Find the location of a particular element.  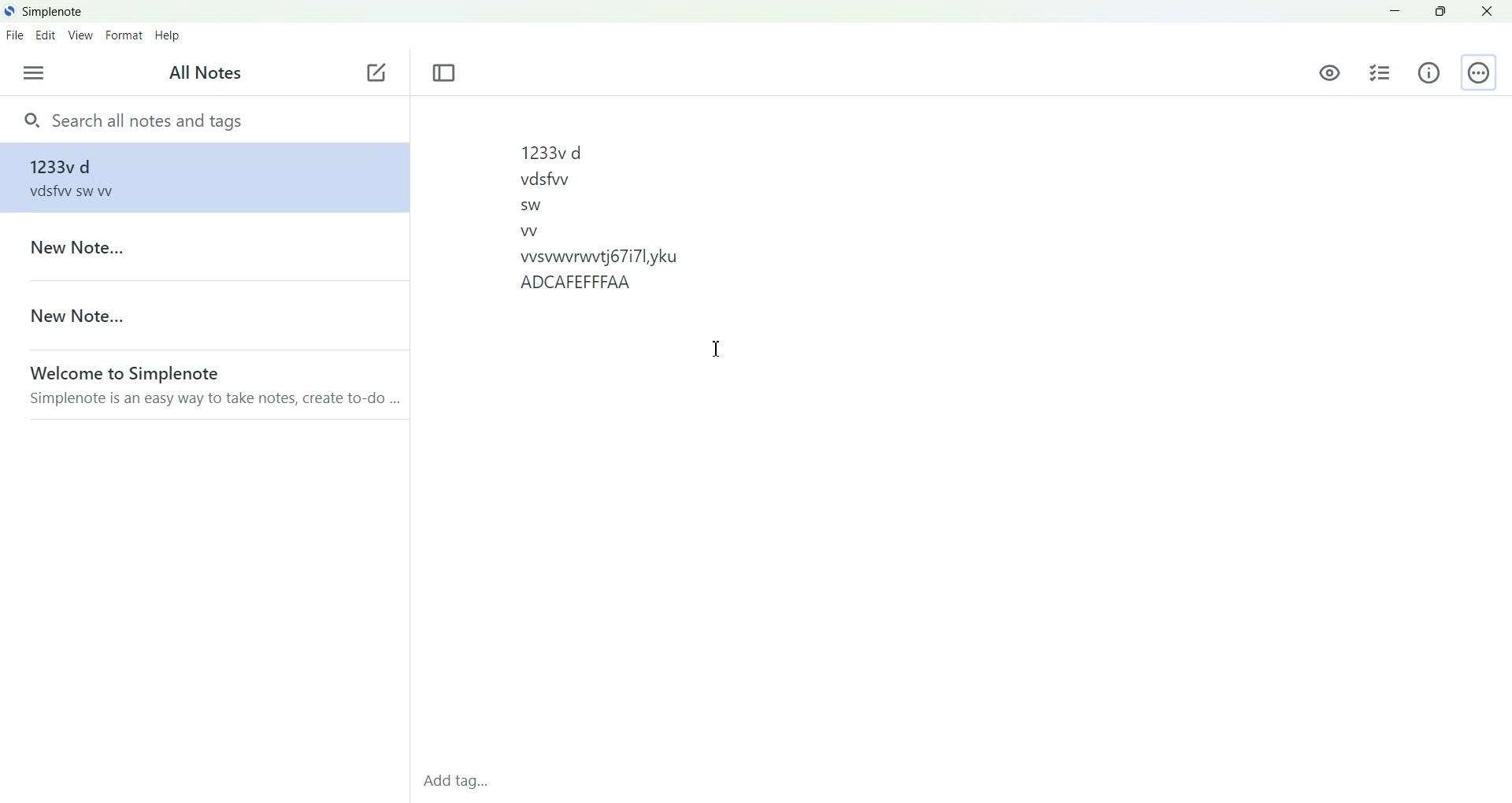

1233 d sw W wewwwwwt6771 yku ADCAFEFFFAA is located at coordinates (959, 436).